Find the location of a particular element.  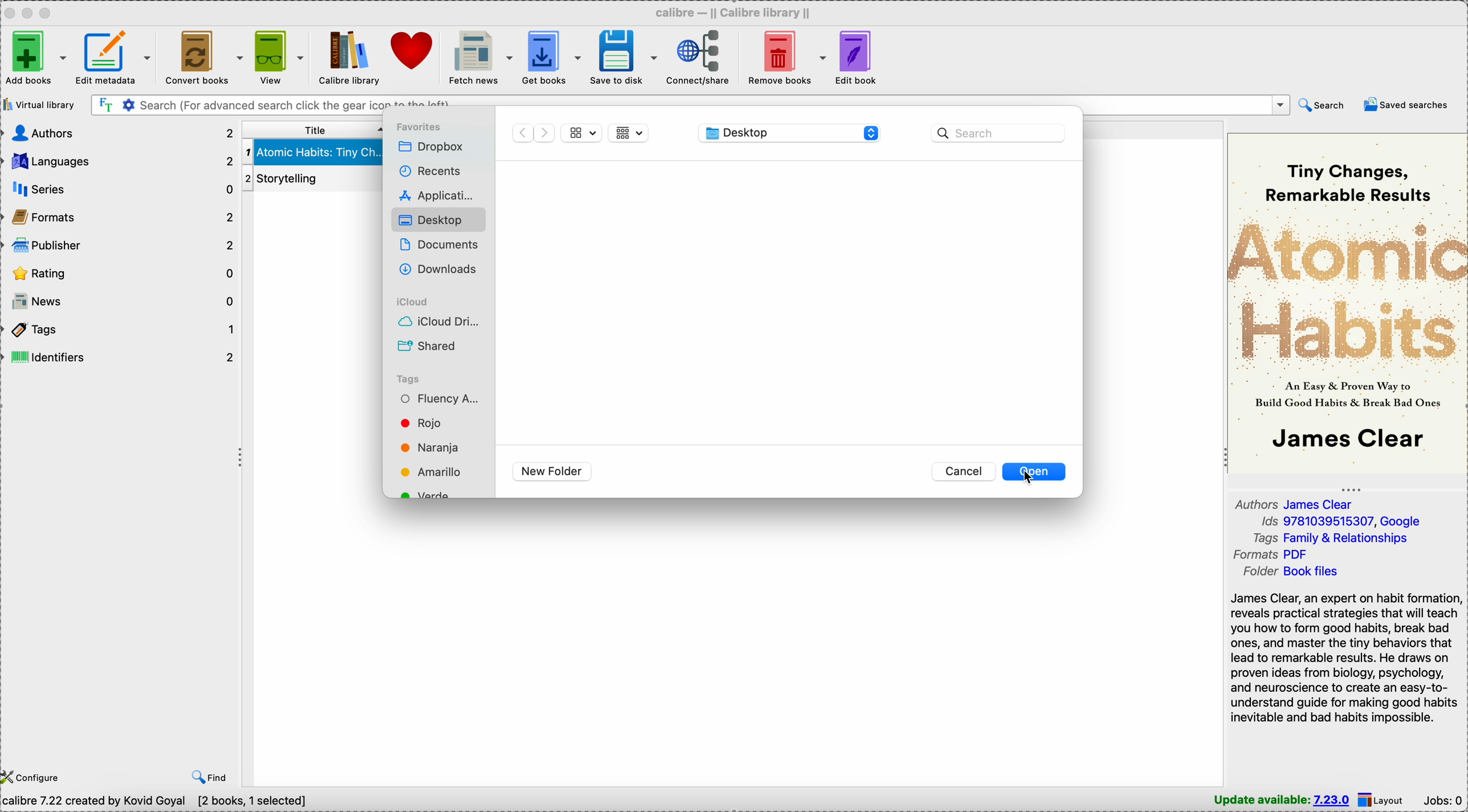

book cover preview is located at coordinates (1346, 303).